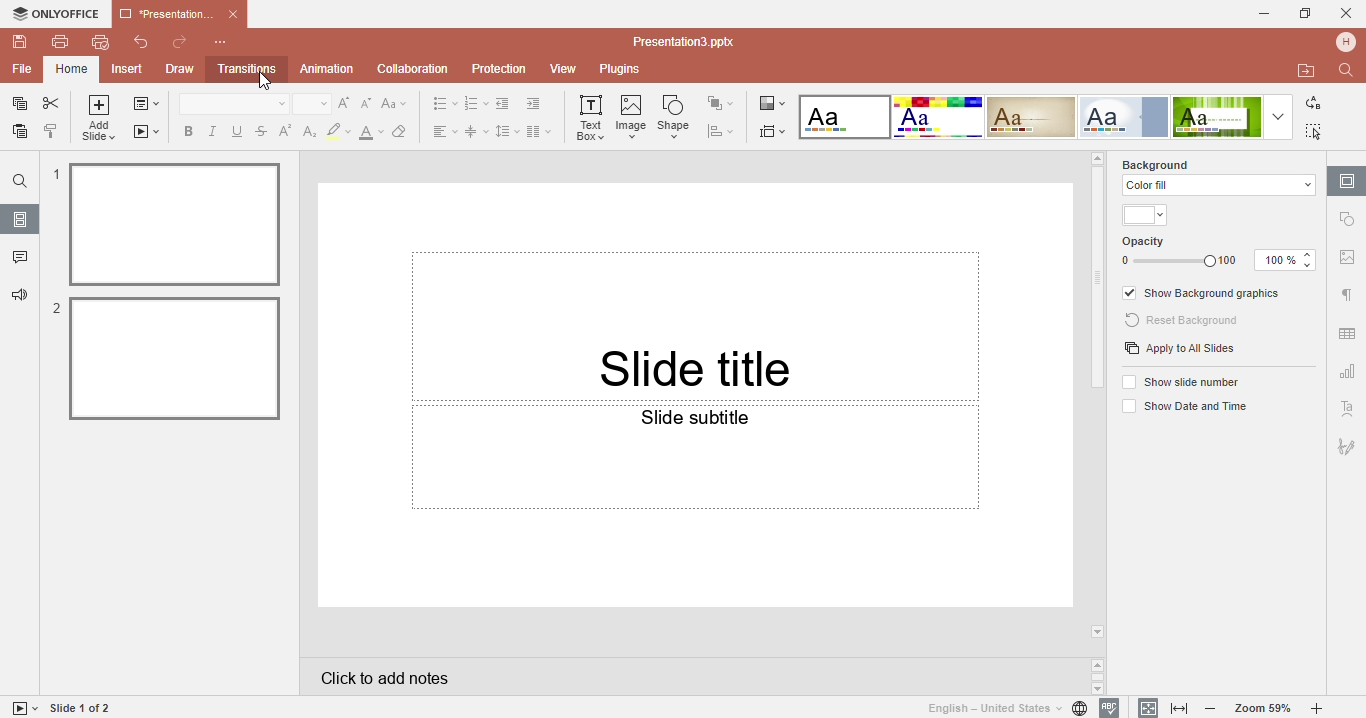 Image resolution: width=1366 pixels, height=718 pixels. I want to click on Undo, so click(134, 44).